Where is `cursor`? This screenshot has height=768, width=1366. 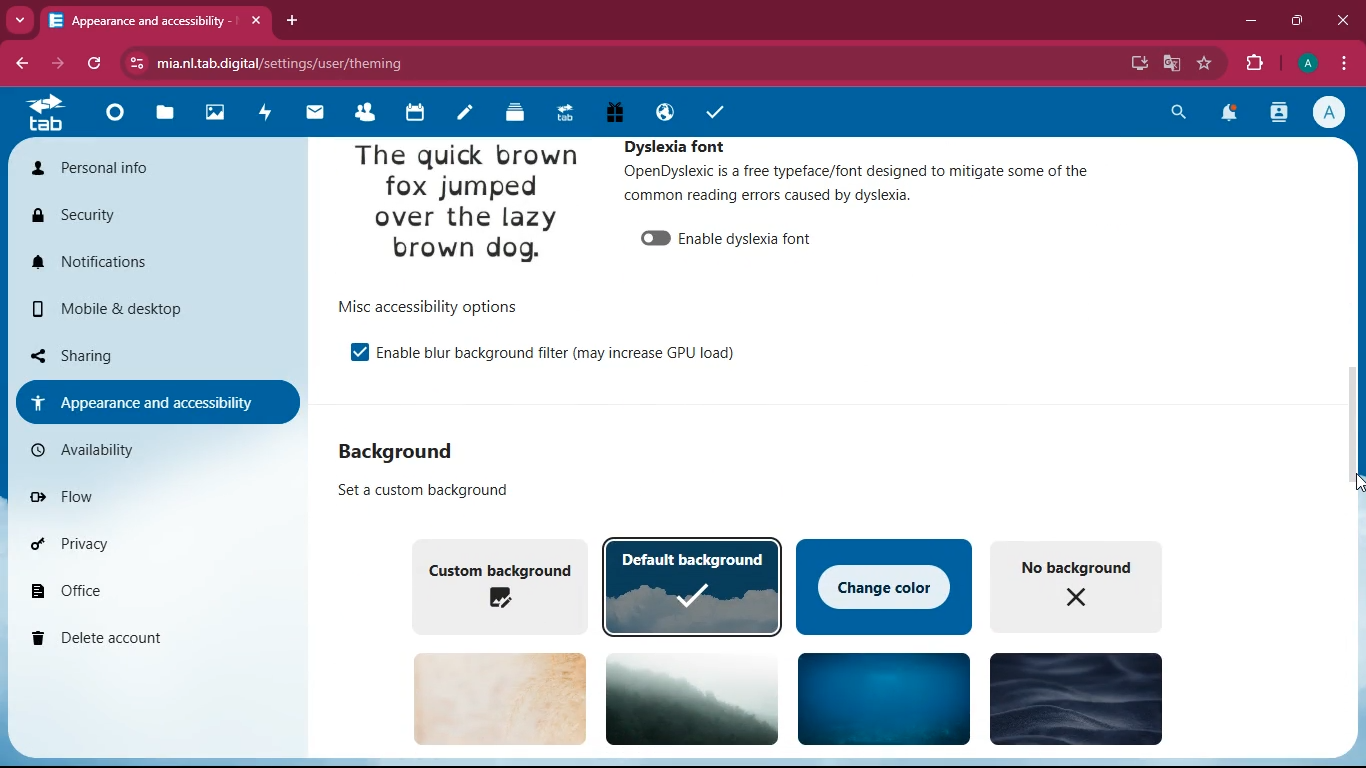 cursor is located at coordinates (1346, 486).